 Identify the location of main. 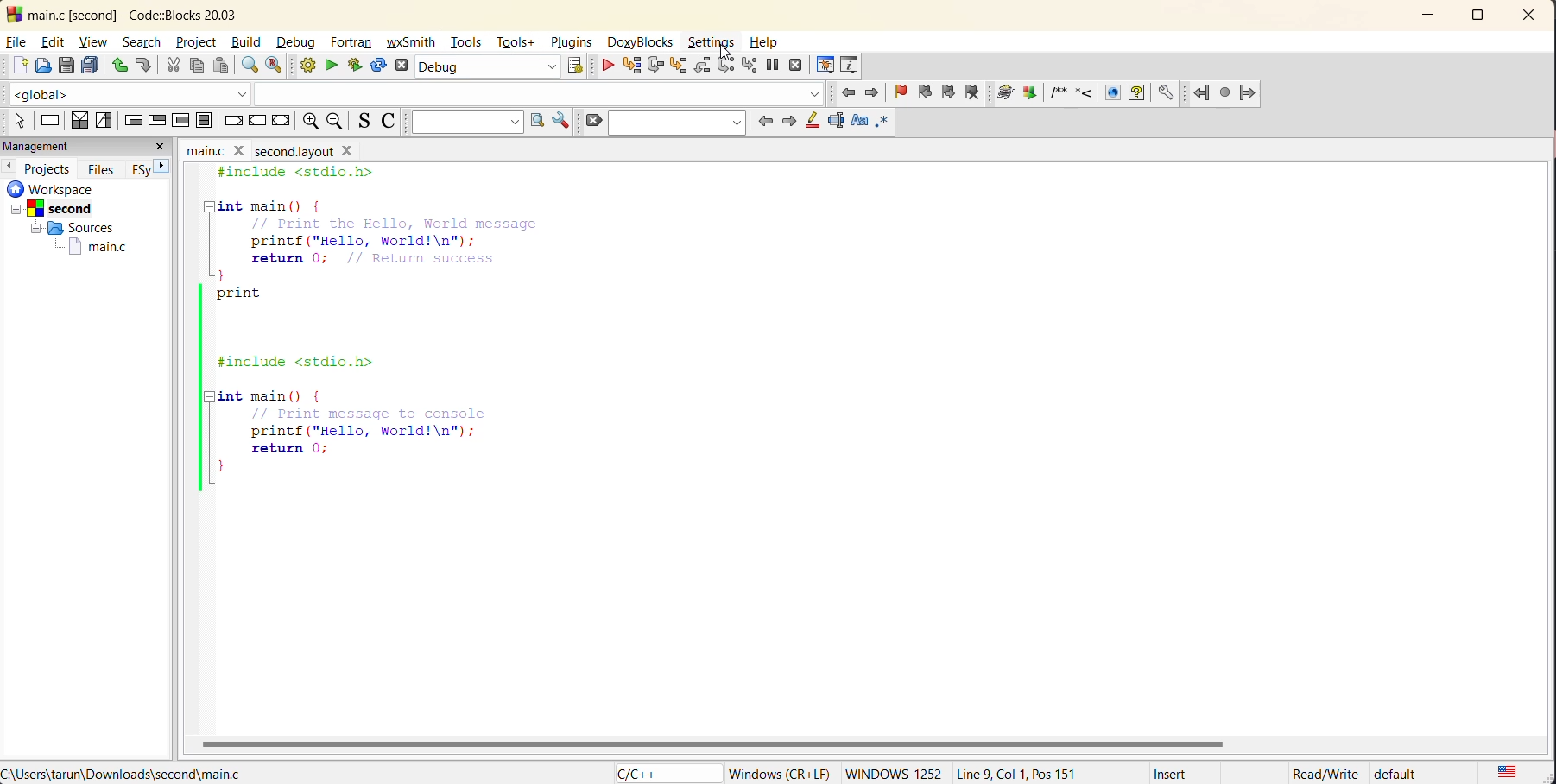
(201, 149).